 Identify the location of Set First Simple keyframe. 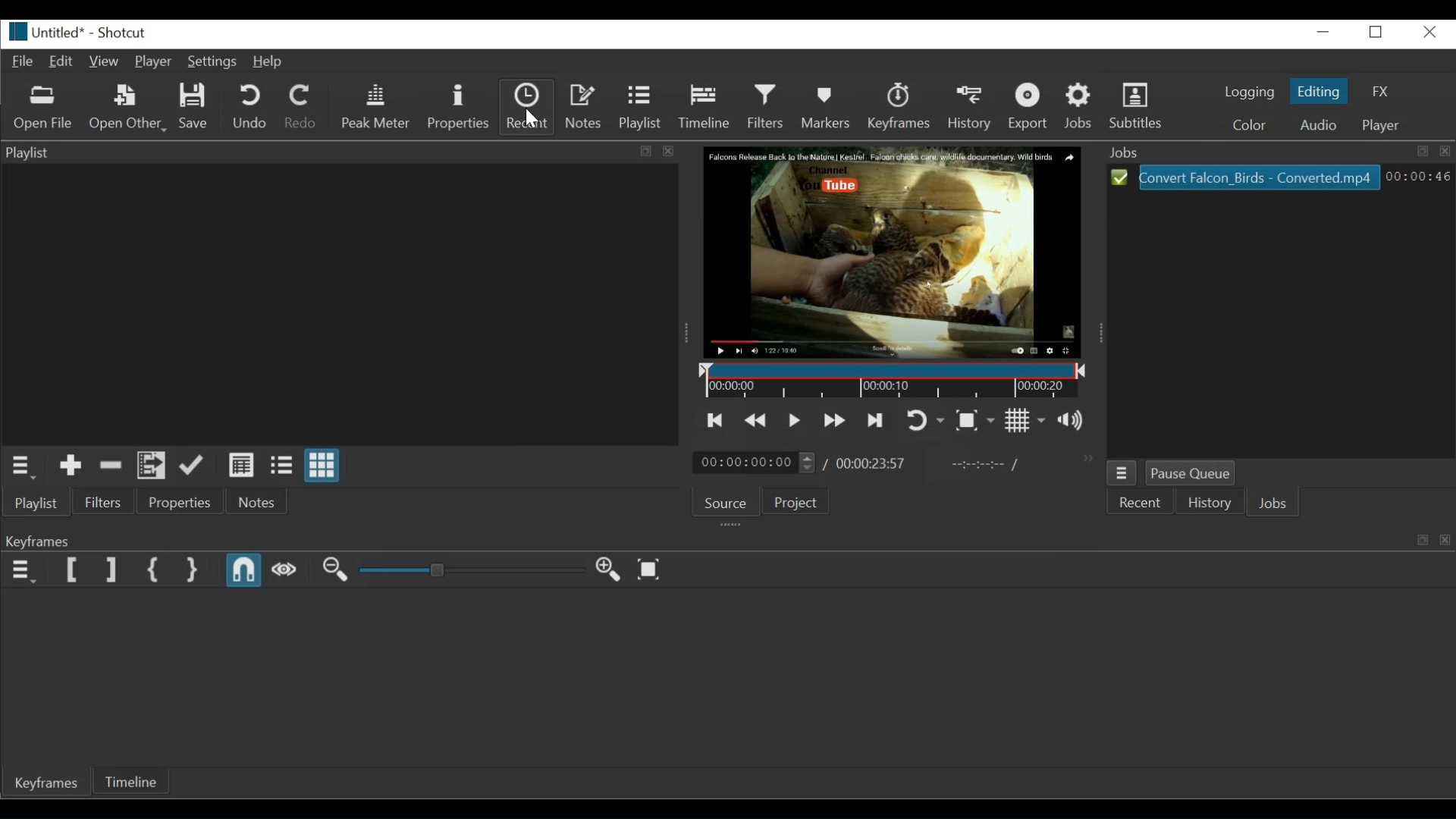
(152, 571).